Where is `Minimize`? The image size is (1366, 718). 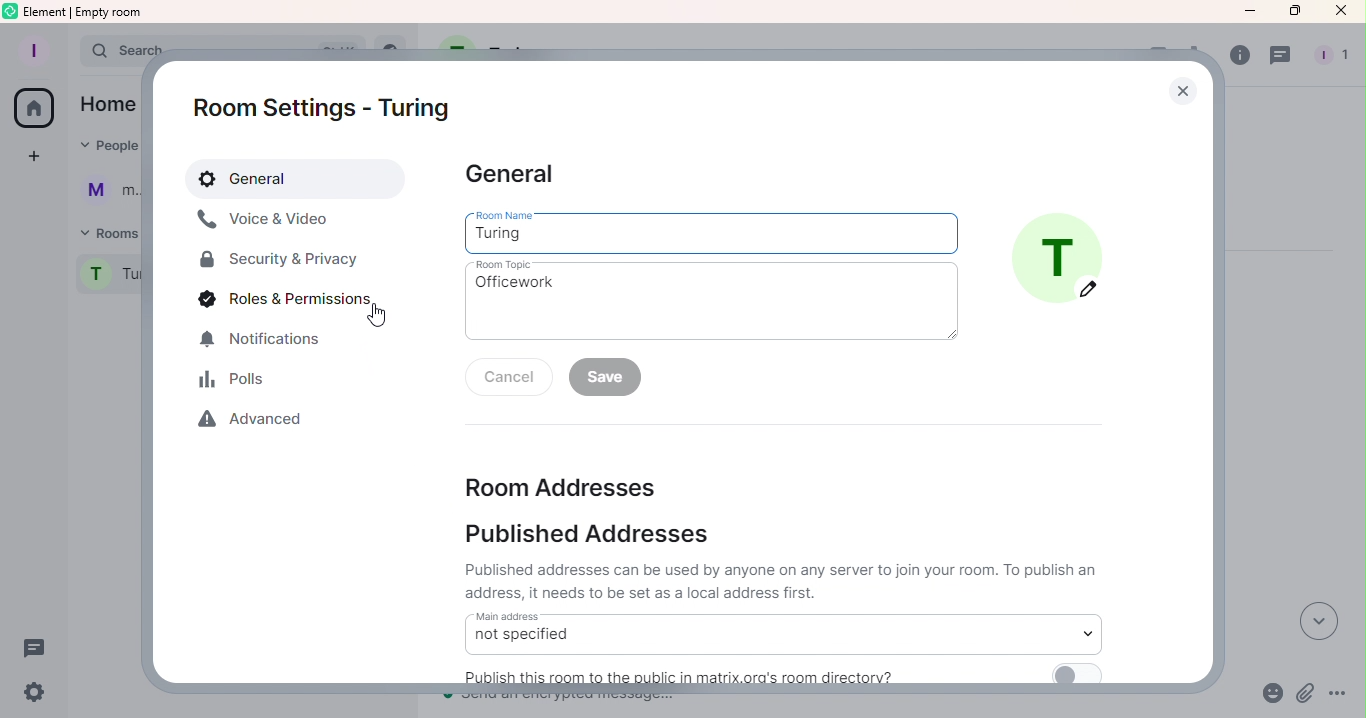 Minimize is located at coordinates (1248, 16).